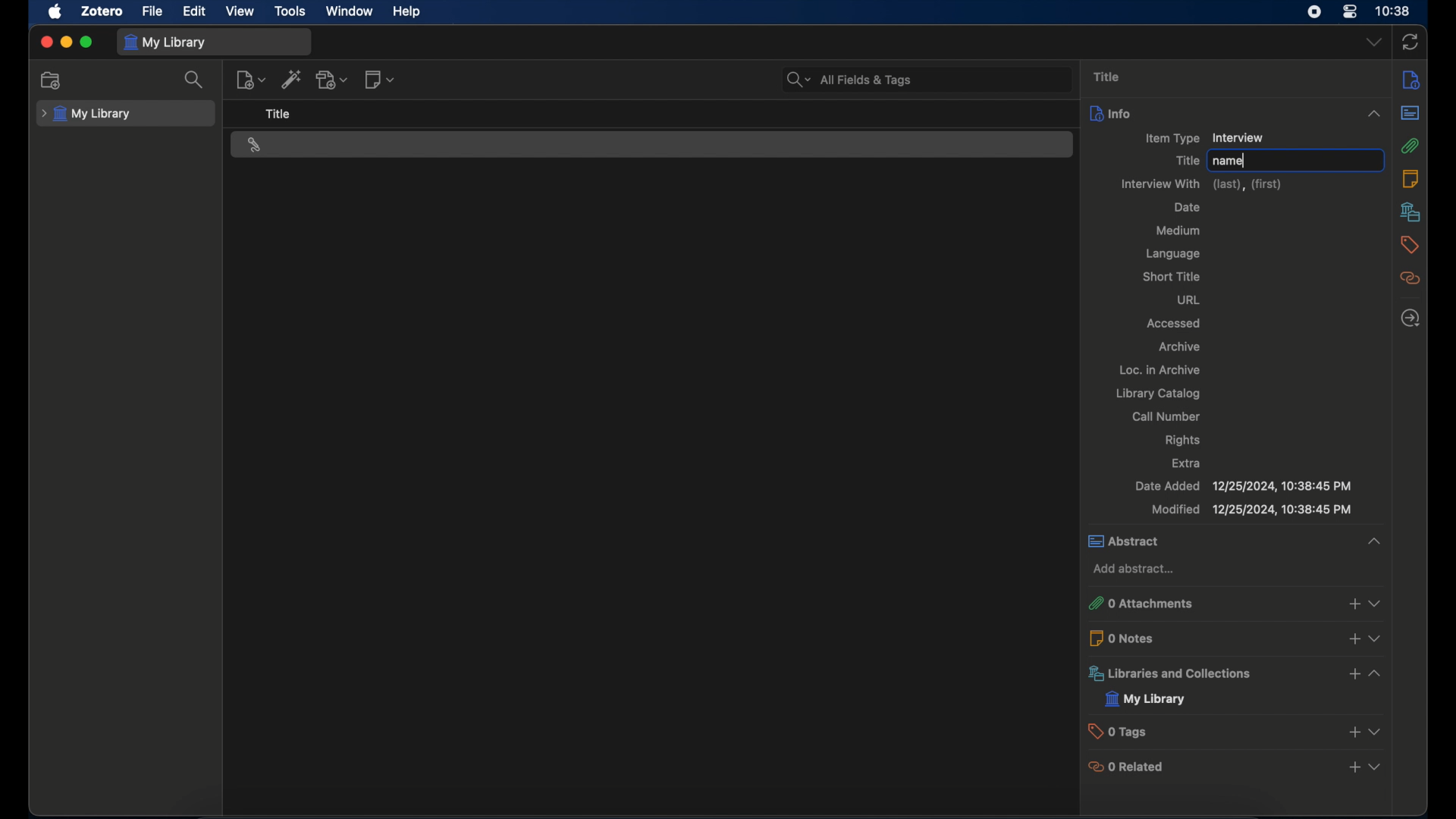  What do you see at coordinates (55, 12) in the screenshot?
I see `apple` at bounding box center [55, 12].